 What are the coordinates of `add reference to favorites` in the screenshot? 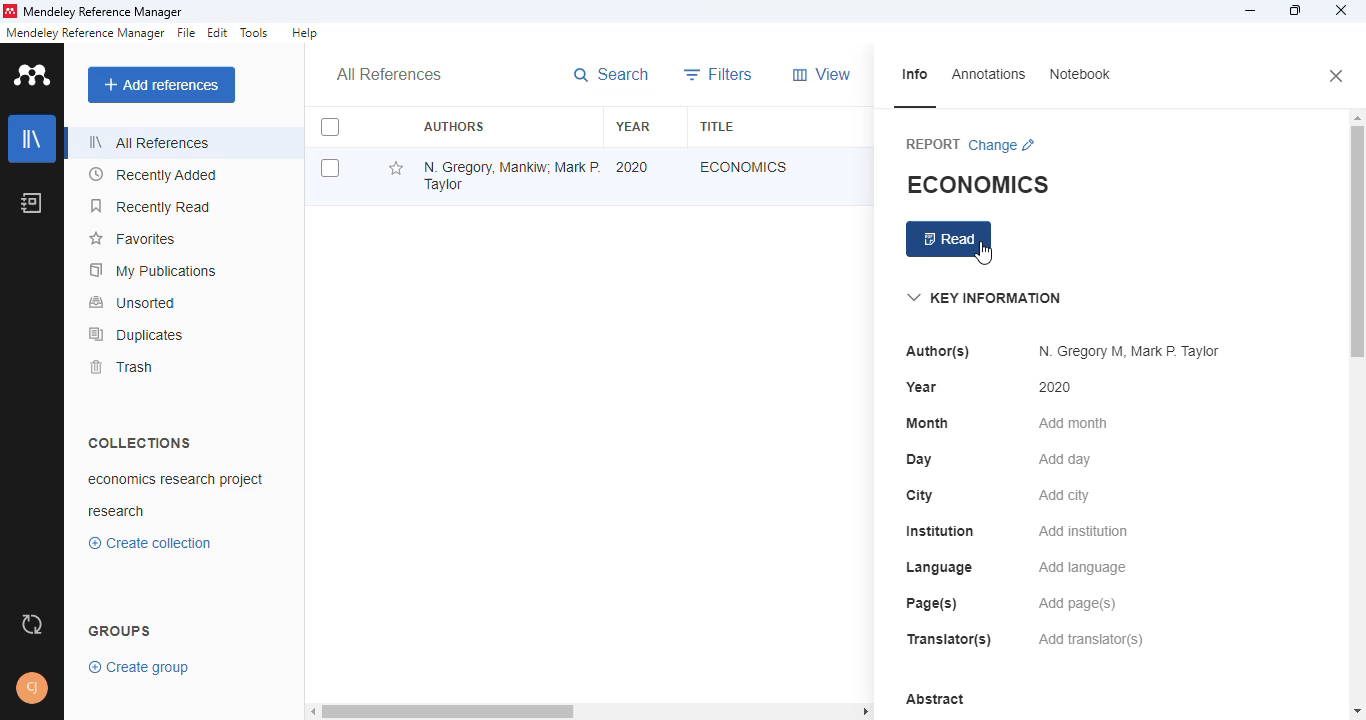 It's located at (398, 168).